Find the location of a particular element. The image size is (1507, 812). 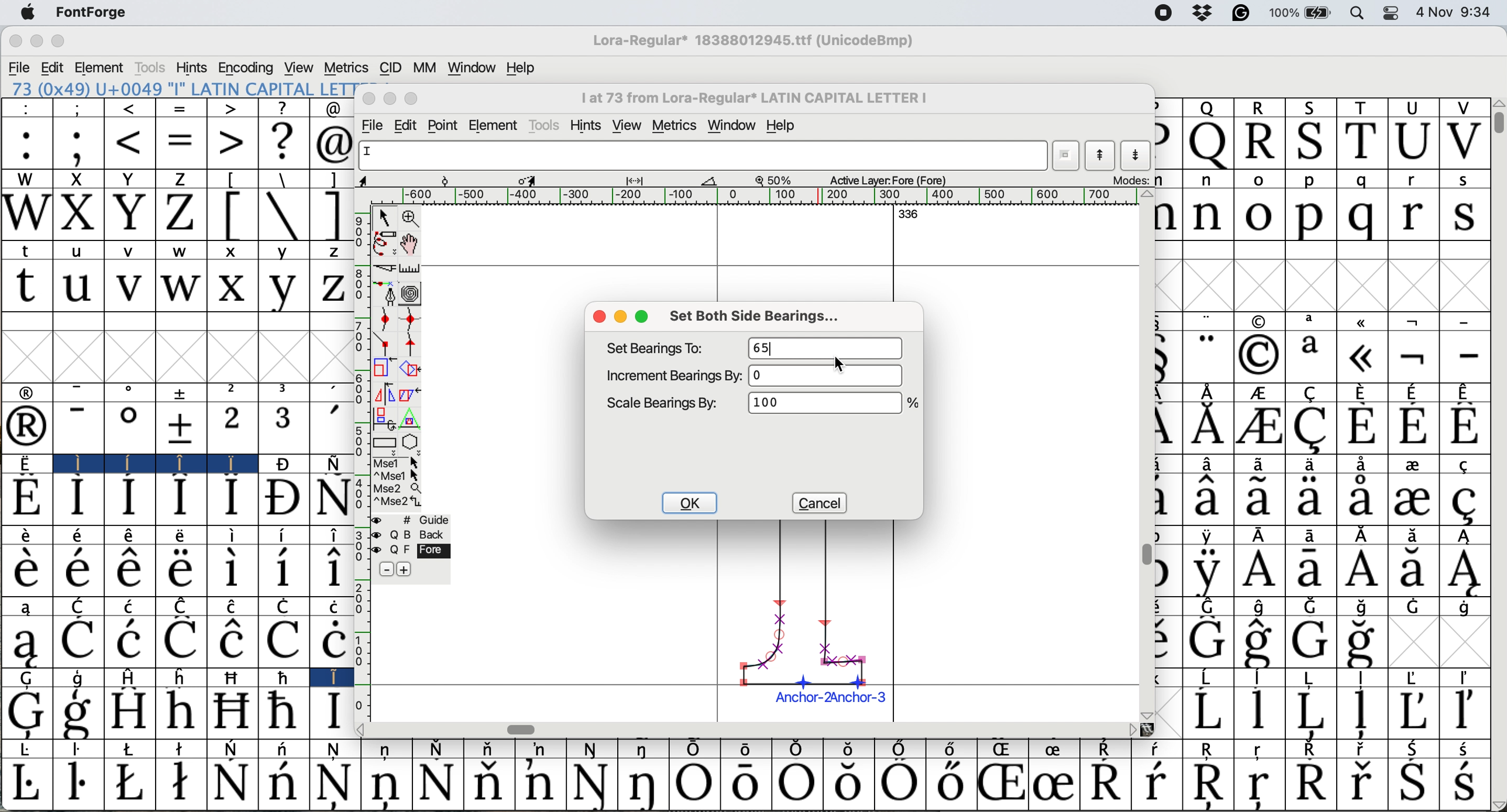

 is located at coordinates (708, 180).